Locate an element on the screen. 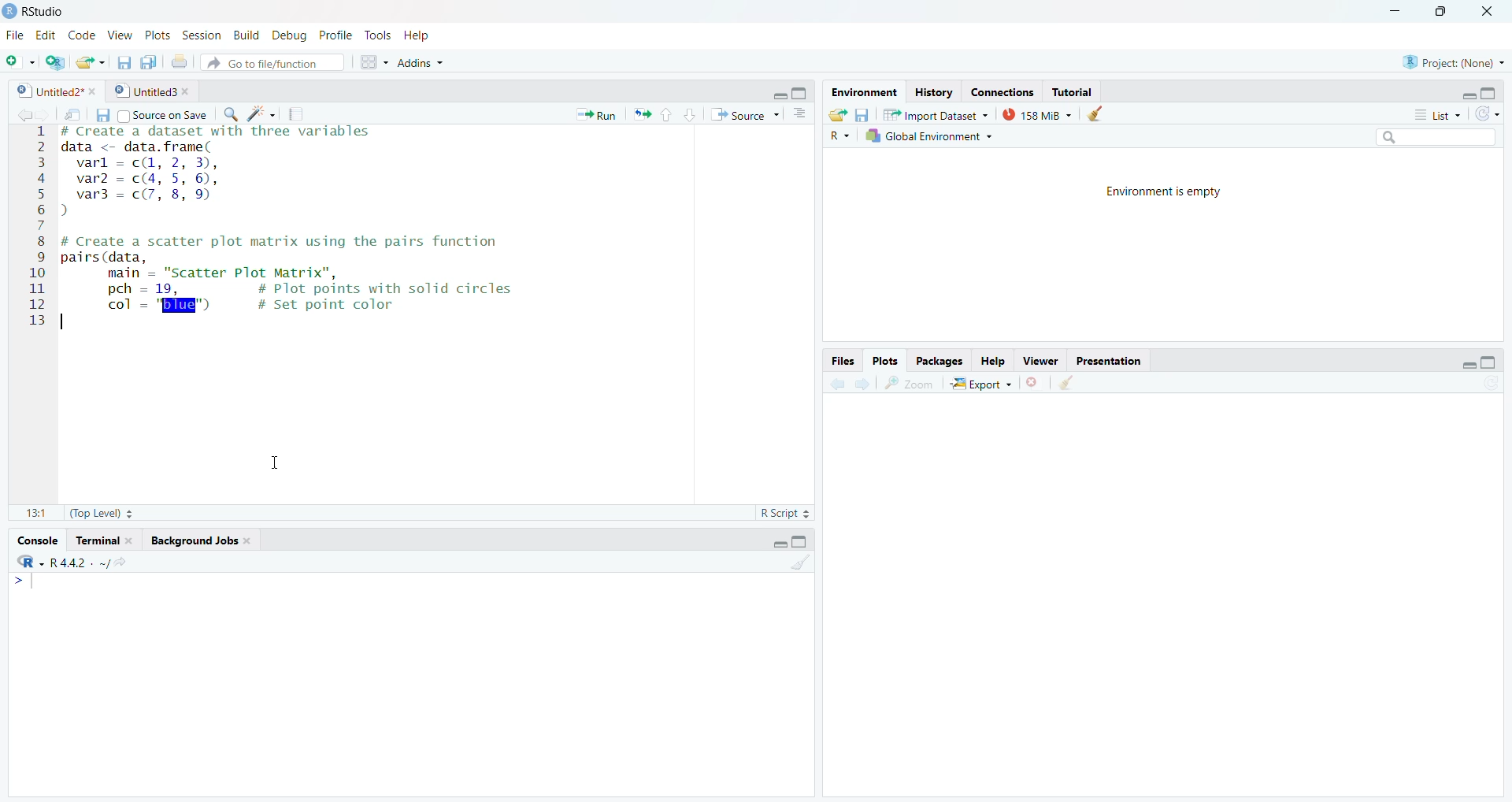 This screenshot has height=802, width=1512. List  is located at coordinates (1432, 113).